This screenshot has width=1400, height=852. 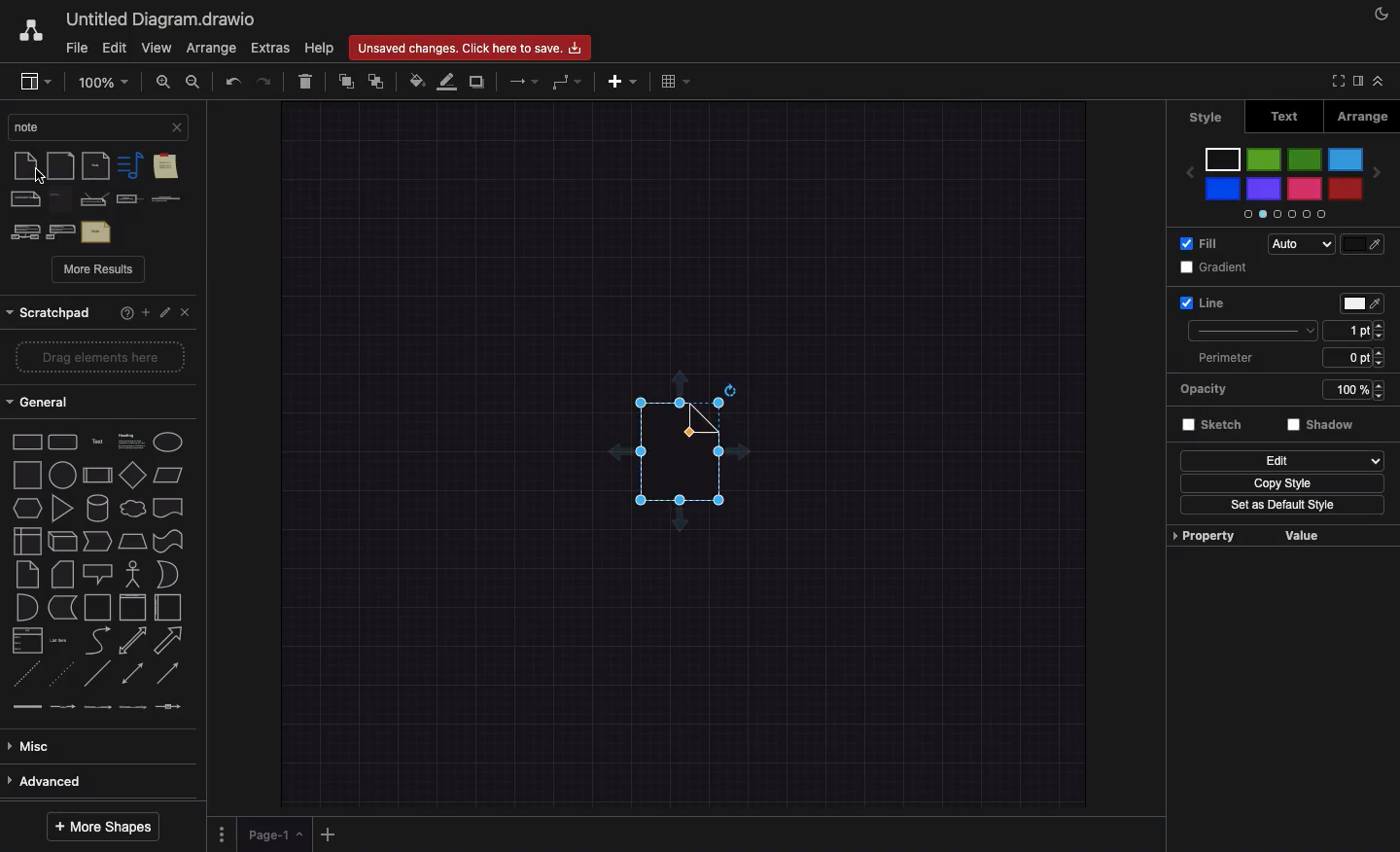 I want to click on Auto, so click(x=1299, y=245).